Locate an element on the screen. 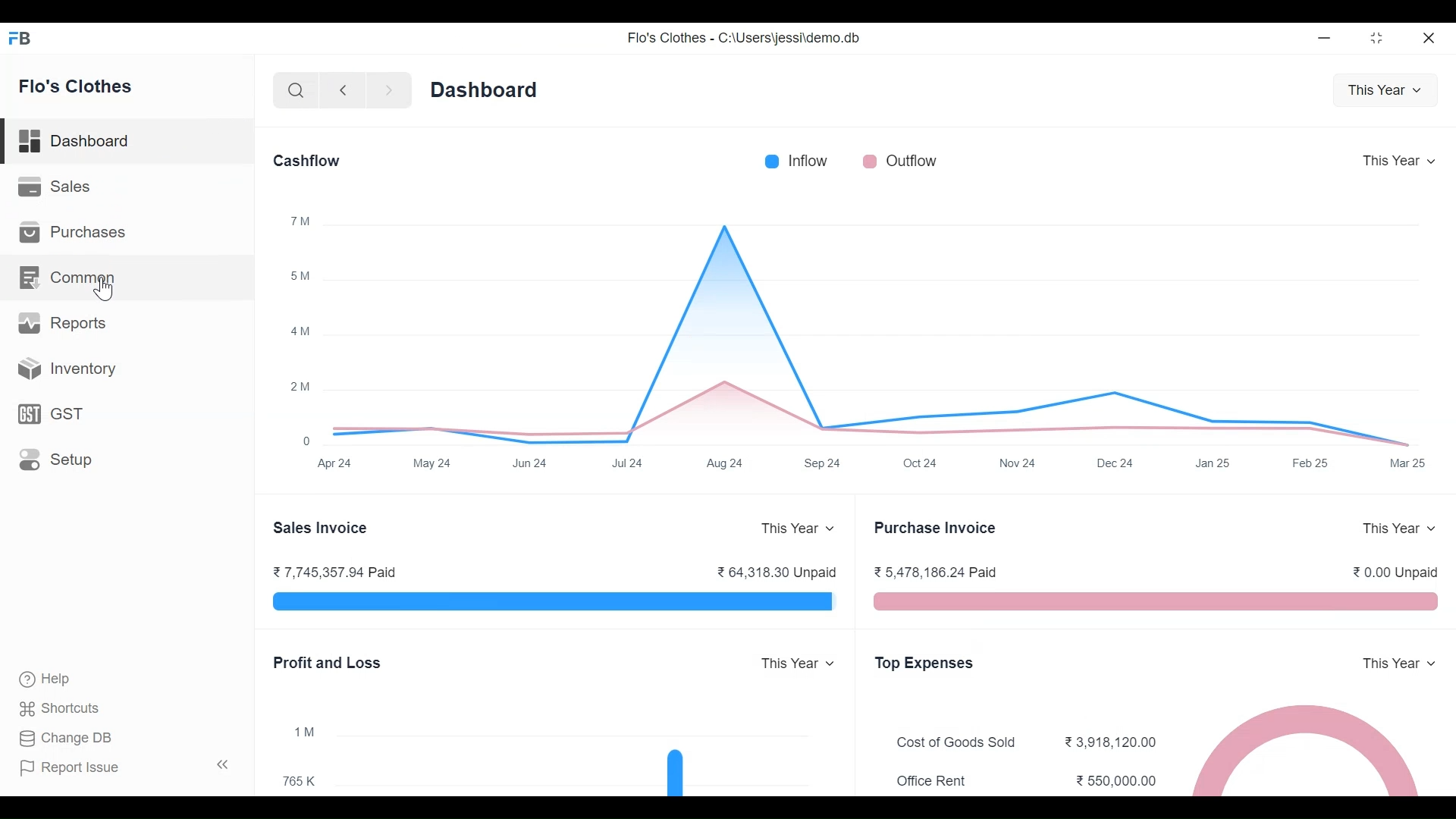 Image resolution: width=1456 pixels, height=819 pixels. 4M is located at coordinates (301, 331).